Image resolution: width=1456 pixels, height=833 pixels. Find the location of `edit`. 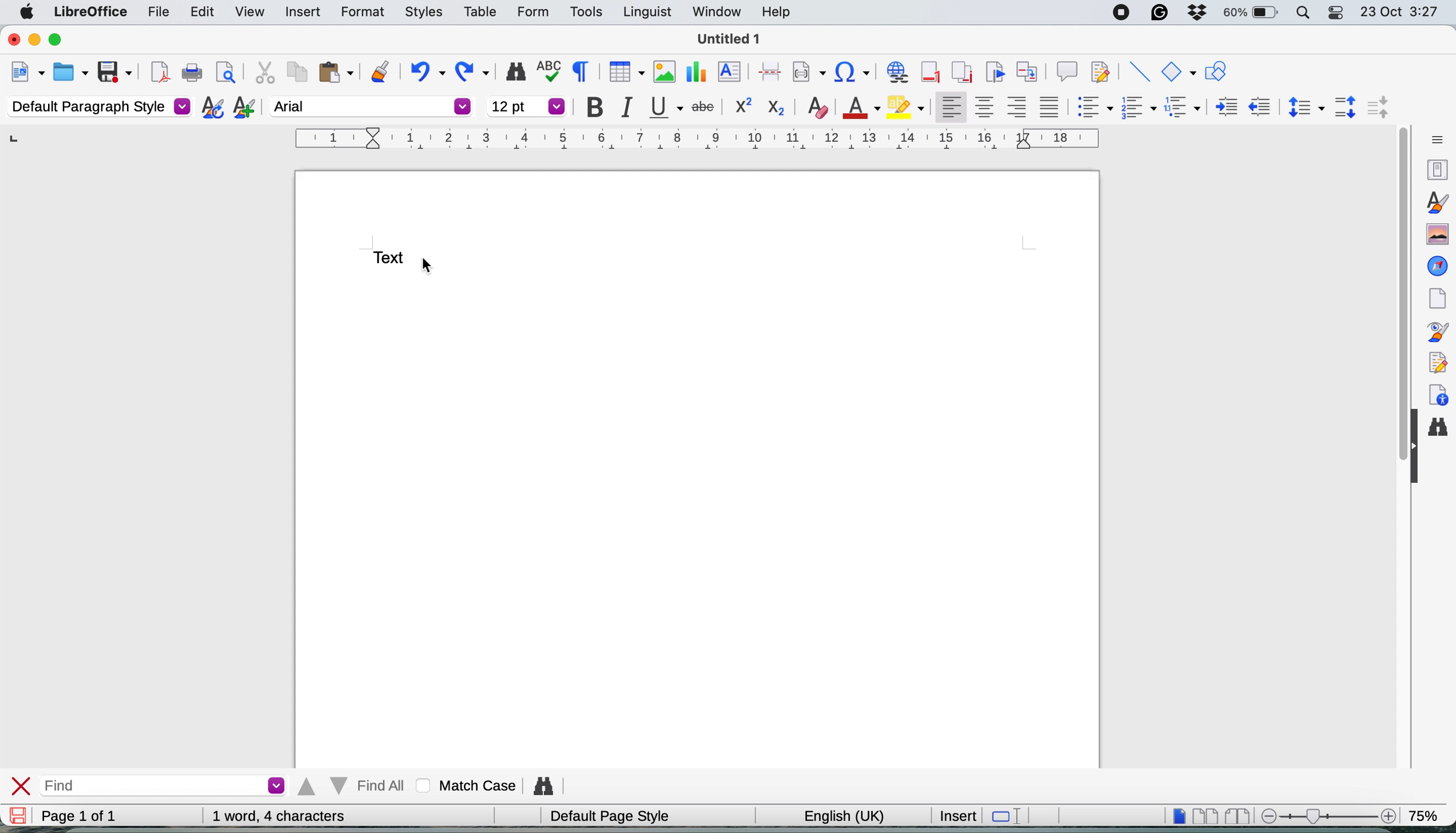

edit is located at coordinates (202, 12).